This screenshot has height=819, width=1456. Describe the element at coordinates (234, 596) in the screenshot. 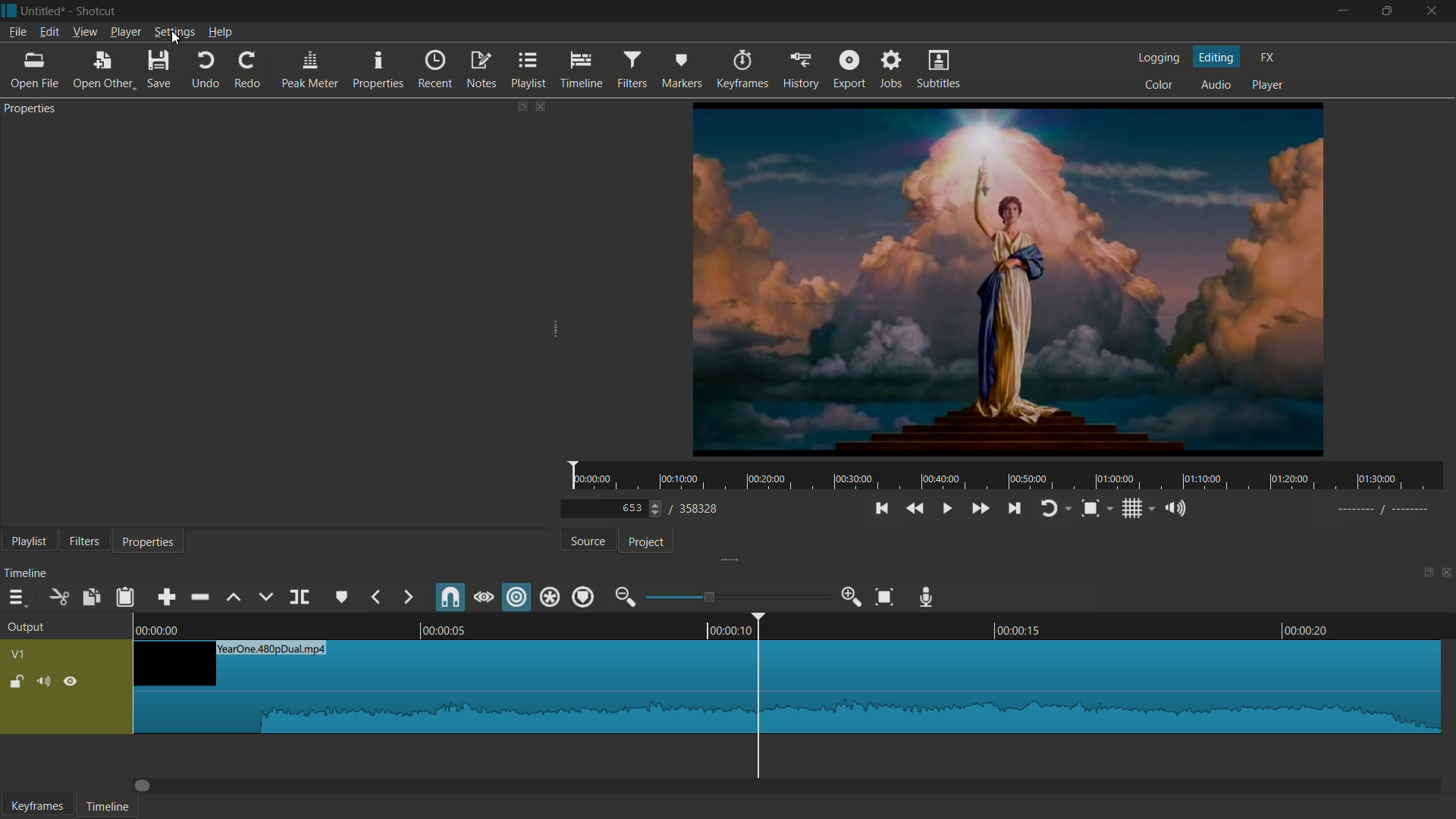

I see `lift` at that location.